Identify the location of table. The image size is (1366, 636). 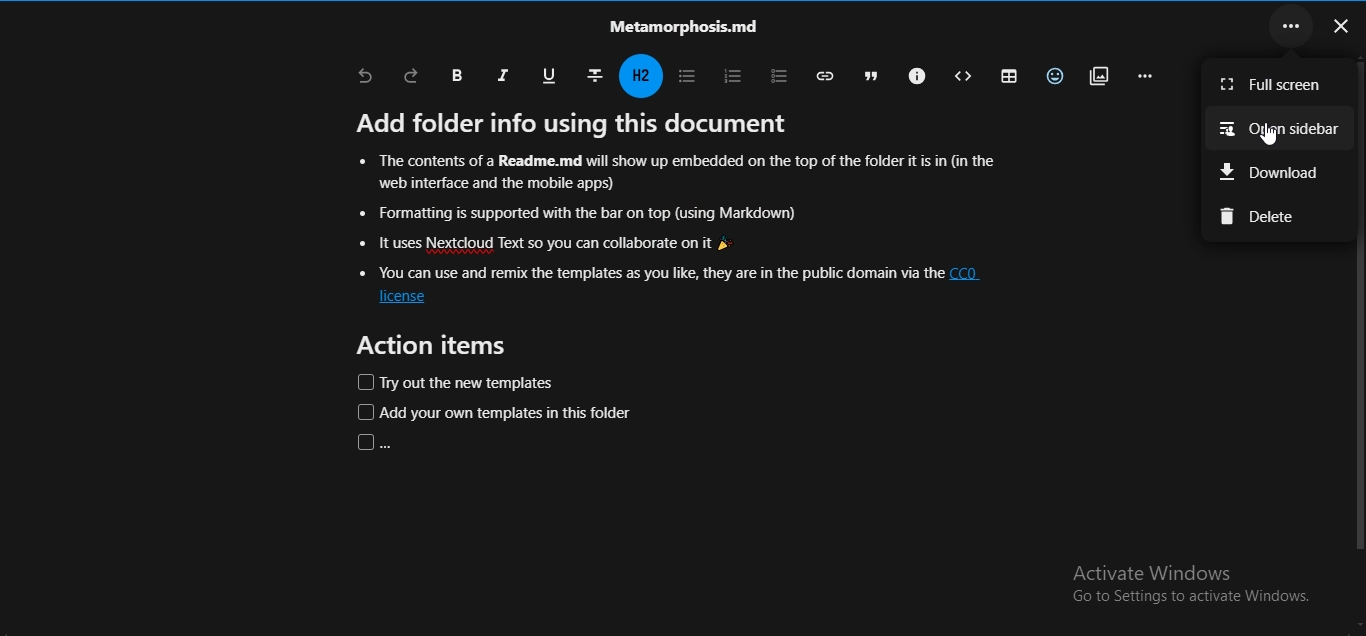
(1005, 76).